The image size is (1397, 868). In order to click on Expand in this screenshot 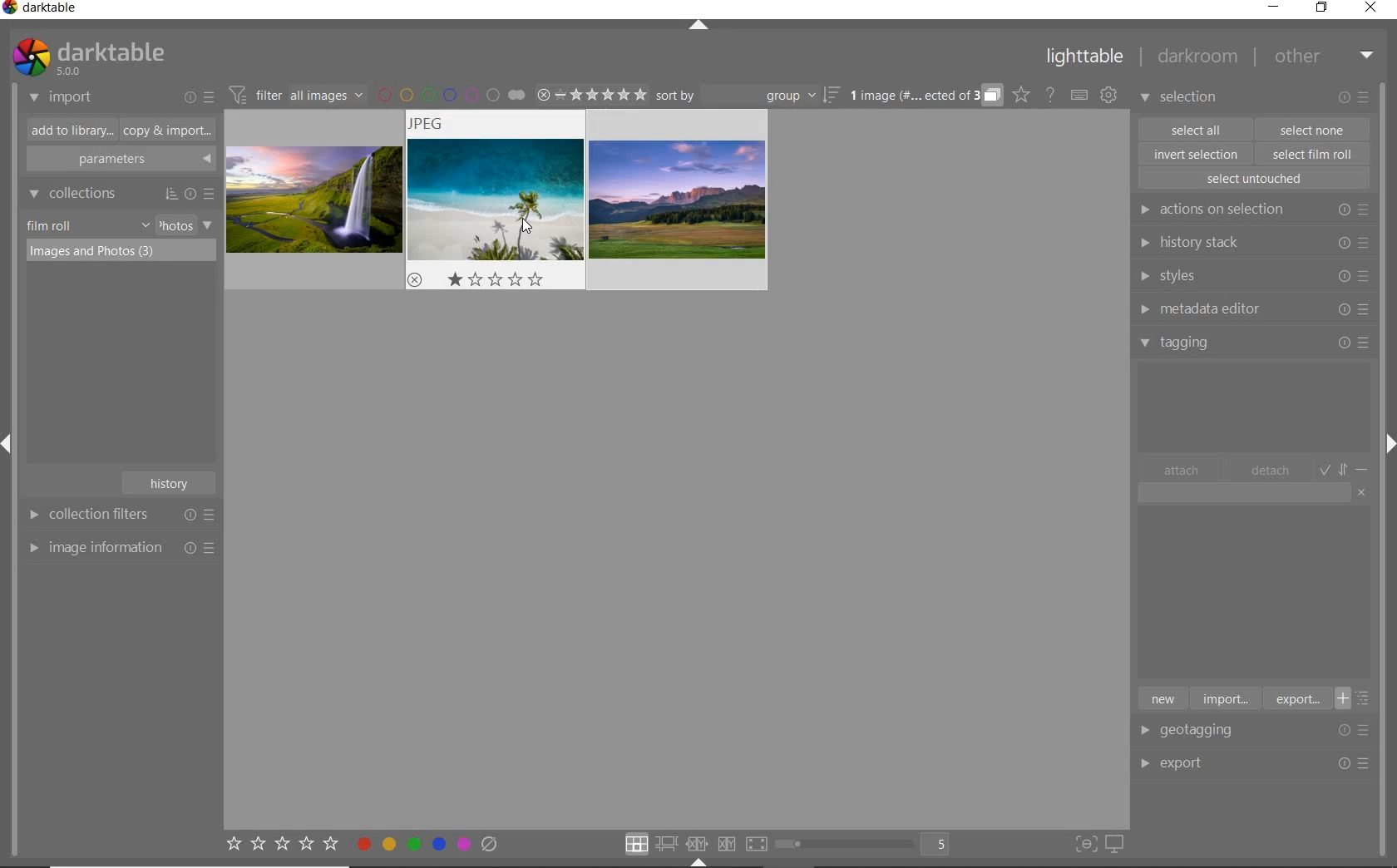, I will do `click(13, 447)`.